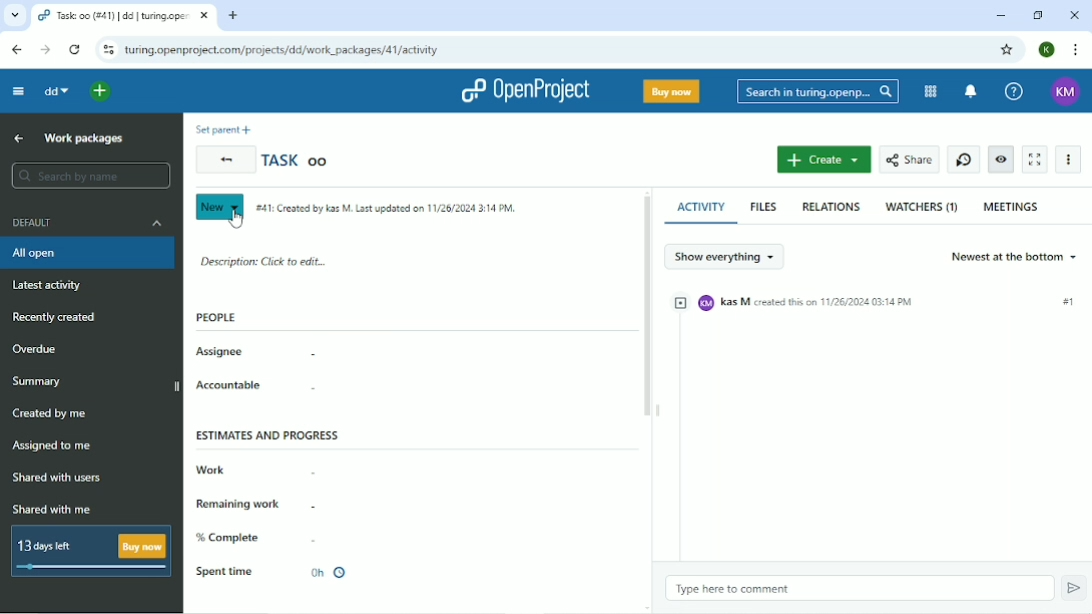 Image resolution: width=1092 pixels, height=614 pixels. Describe the element at coordinates (1075, 49) in the screenshot. I see `Customize and control google chrome` at that location.